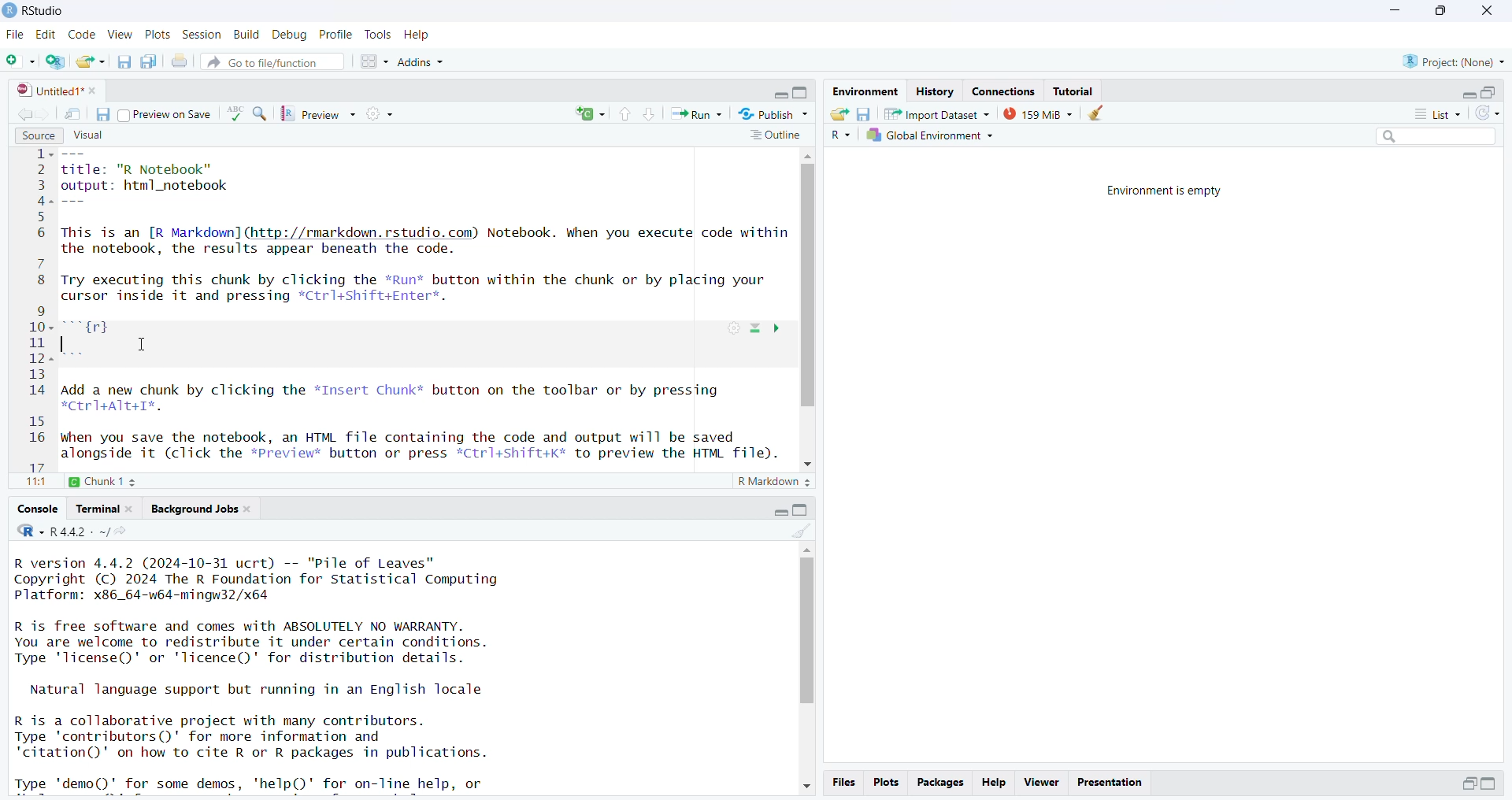  I want to click on preview, so click(322, 114).